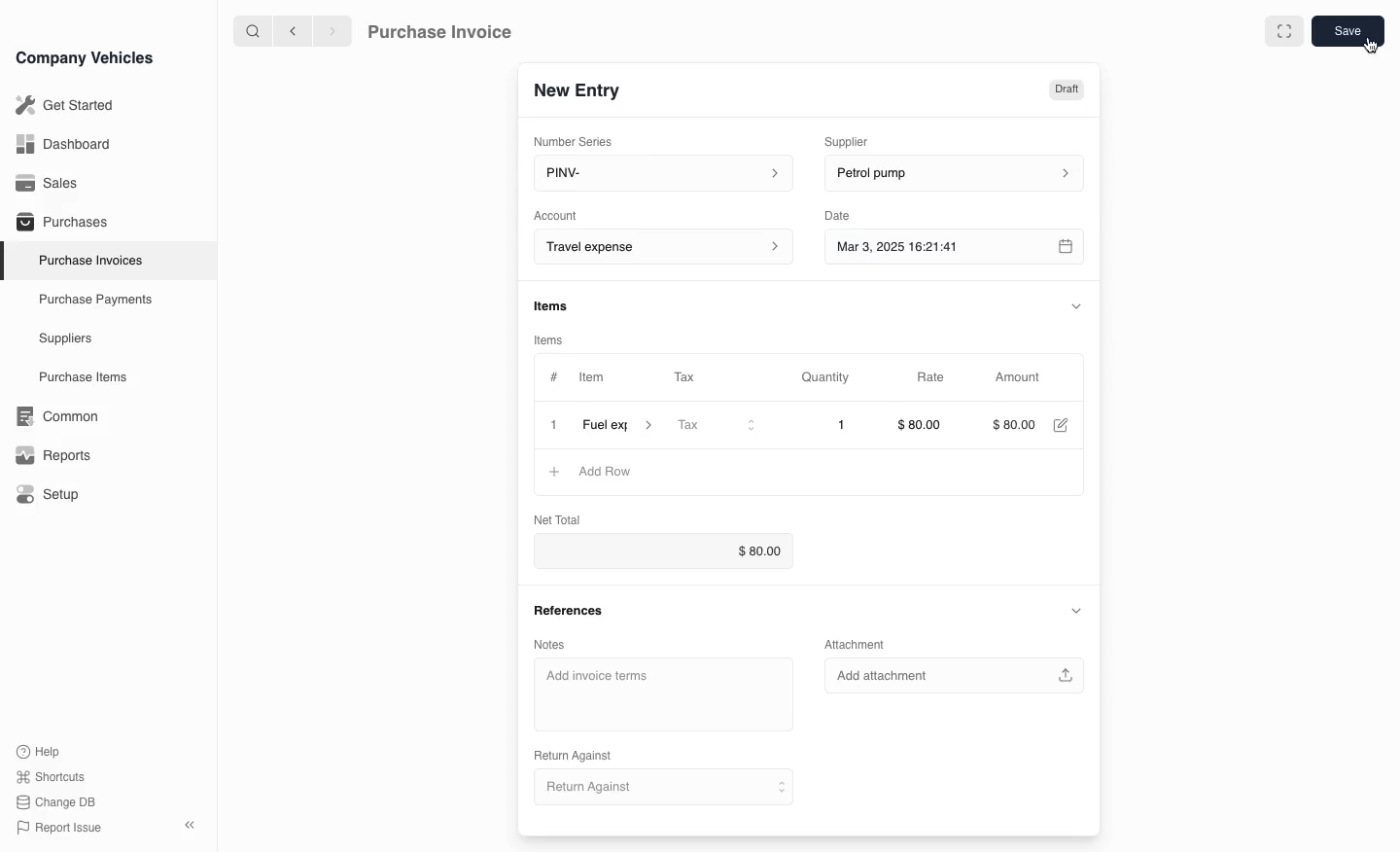  Describe the element at coordinates (52, 416) in the screenshot. I see `Common` at that location.